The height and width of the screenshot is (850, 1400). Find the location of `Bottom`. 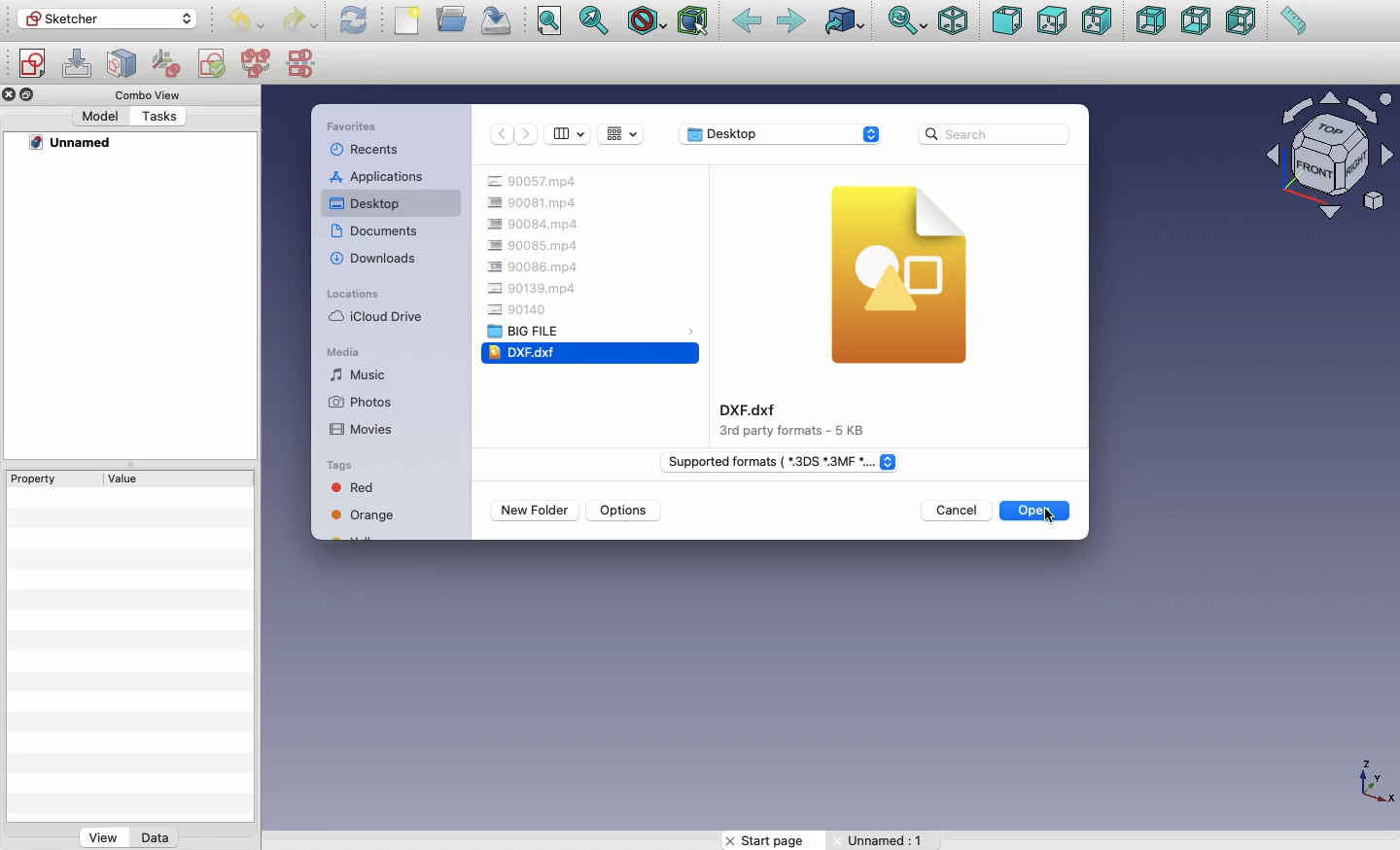

Bottom is located at coordinates (1196, 22).